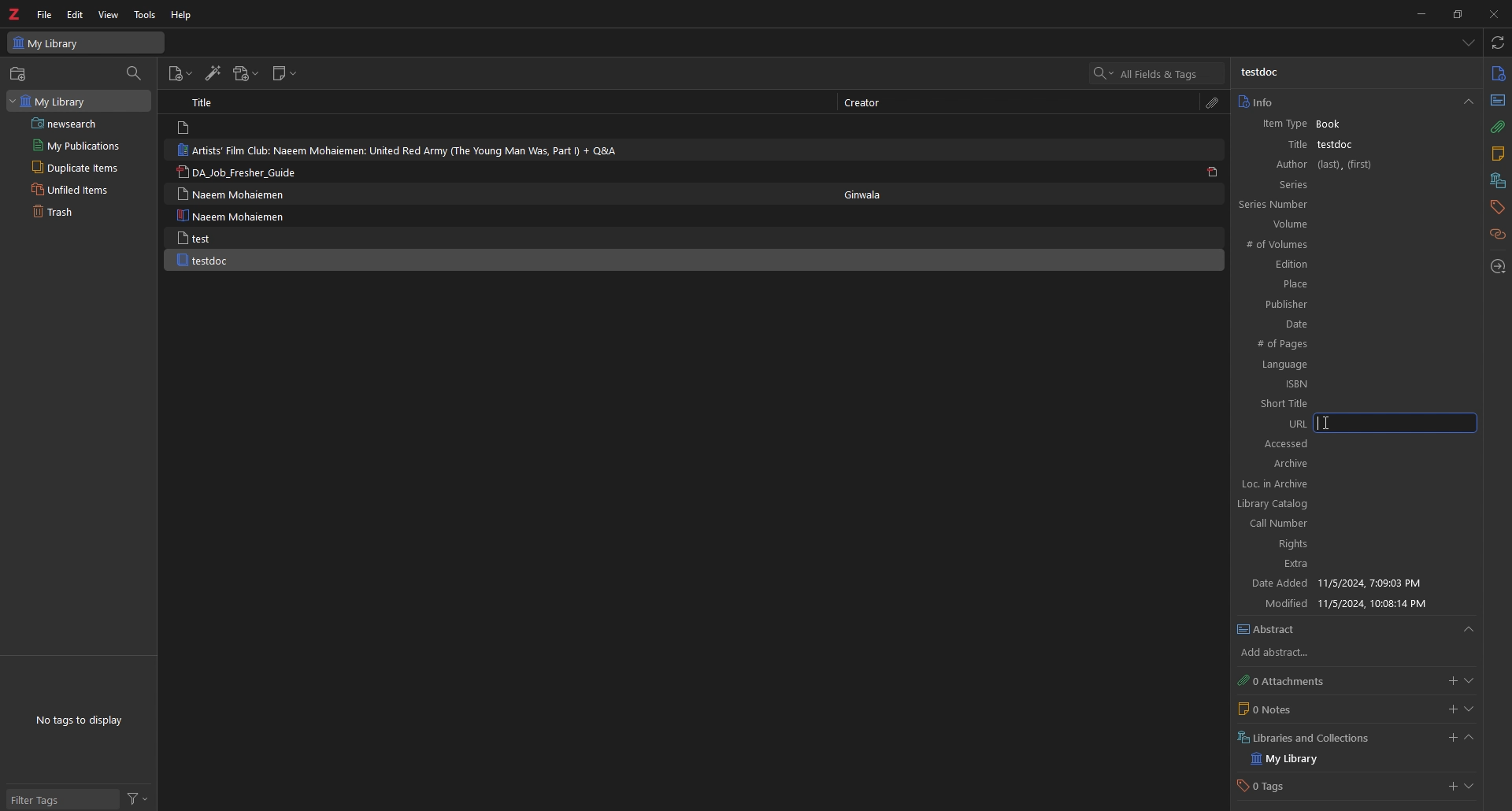 Image resolution: width=1512 pixels, height=811 pixels. Describe the element at coordinates (1329, 283) in the screenshot. I see `Place` at that location.